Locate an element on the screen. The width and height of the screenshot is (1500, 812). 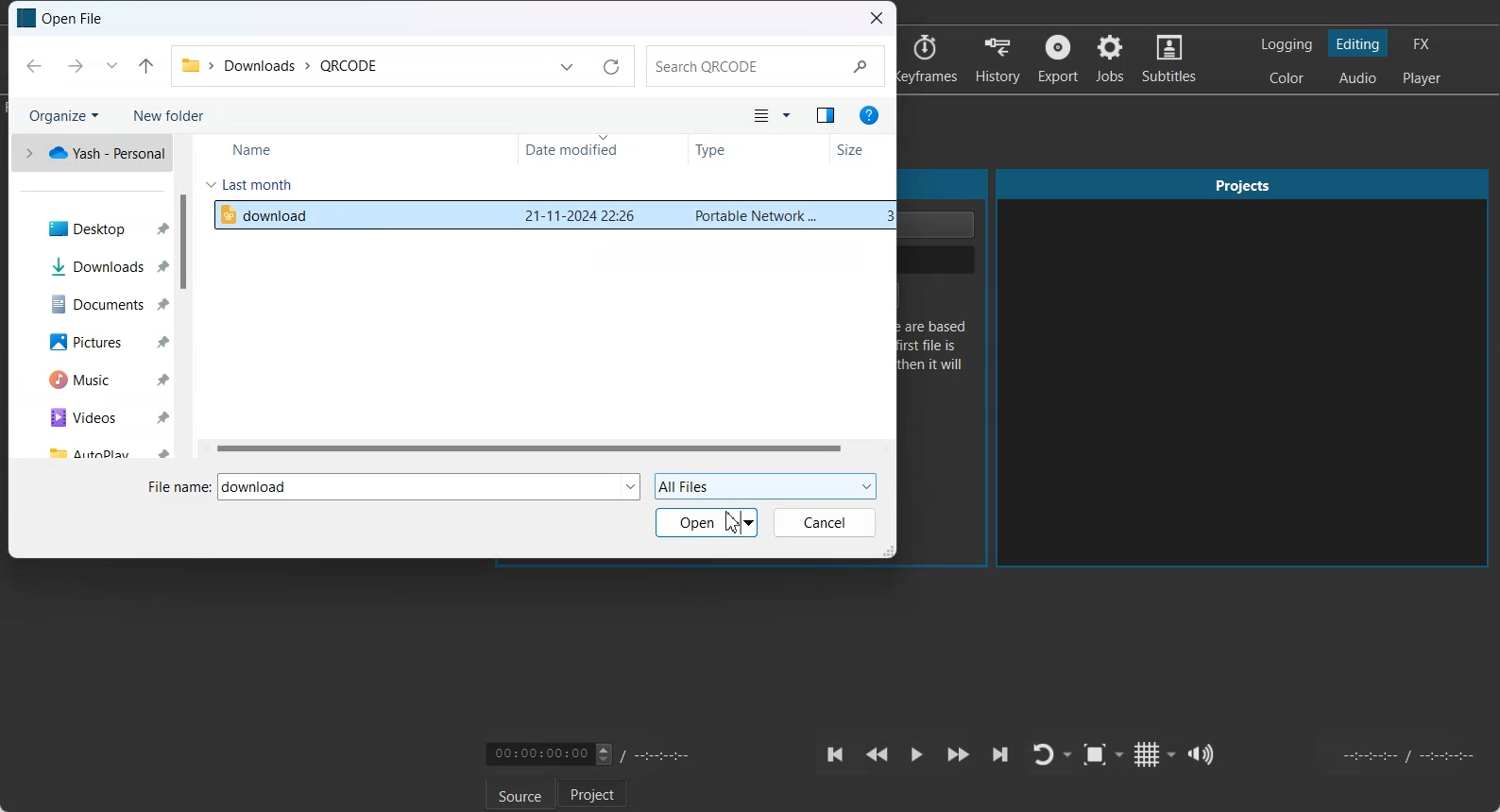
Documents is located at coordinates (92, 305).